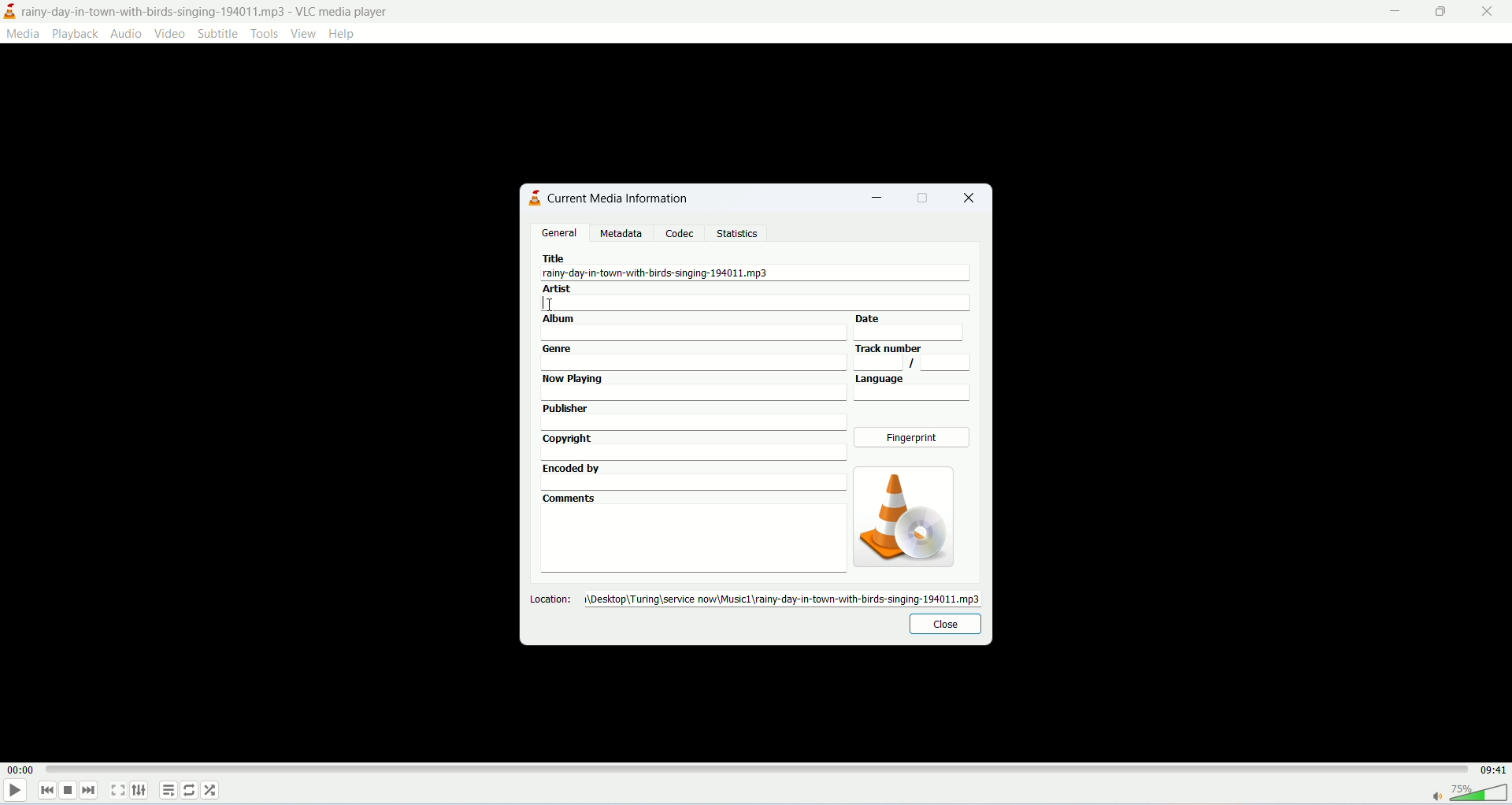 Image resolution: width=1512 pixels, height=805 pixels. Describe the element at coordinates (757, 598) in the screenshot. I see `location:desktop\turing\servicenow\music1\rainy-day-in-town` at that location.